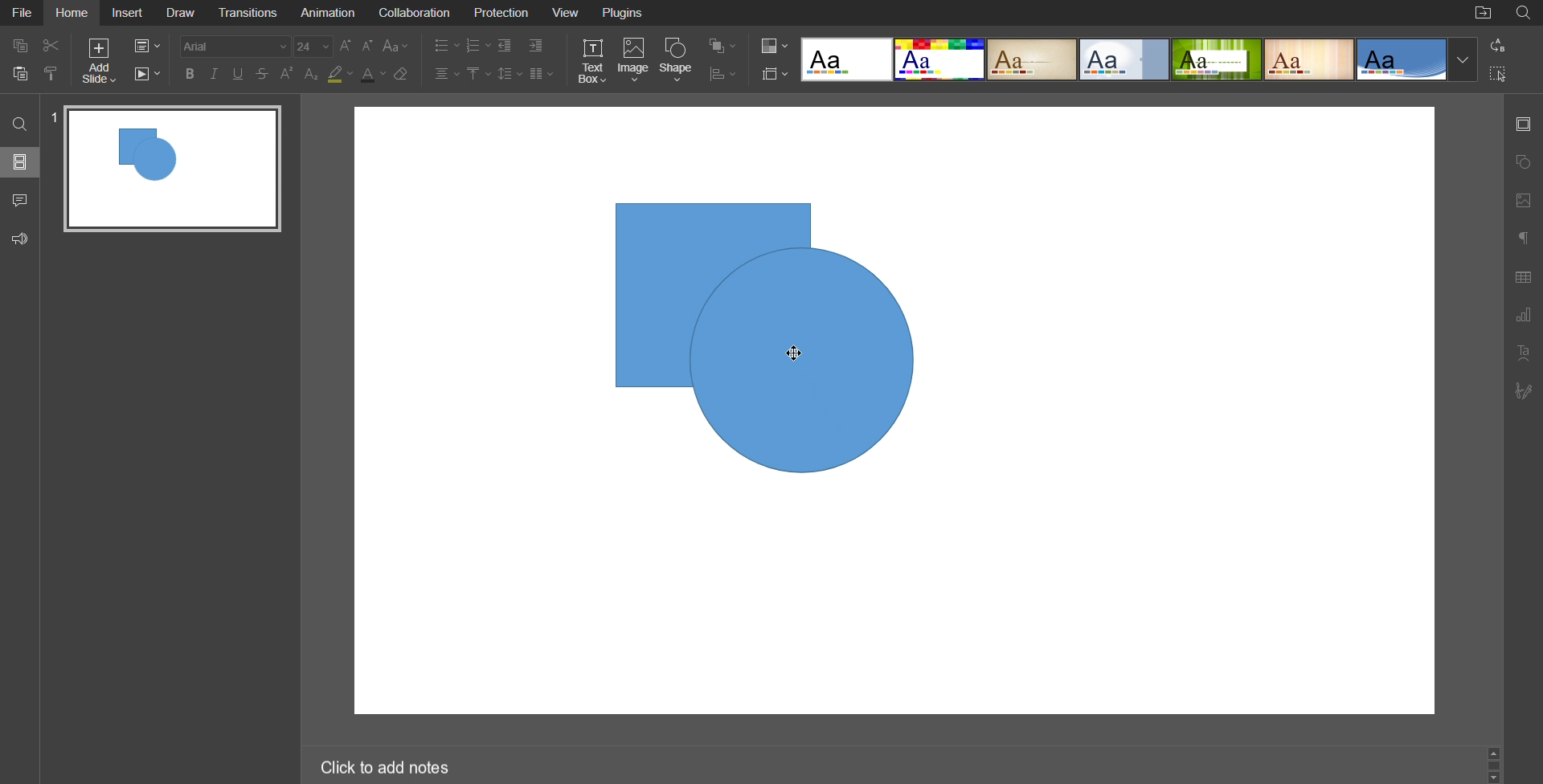 This screenshot has width=1543, height=784. What do you see at coordinates (262, 74) in the screenshot?
I see `Strikethrough` at bounding box center [262, 74].